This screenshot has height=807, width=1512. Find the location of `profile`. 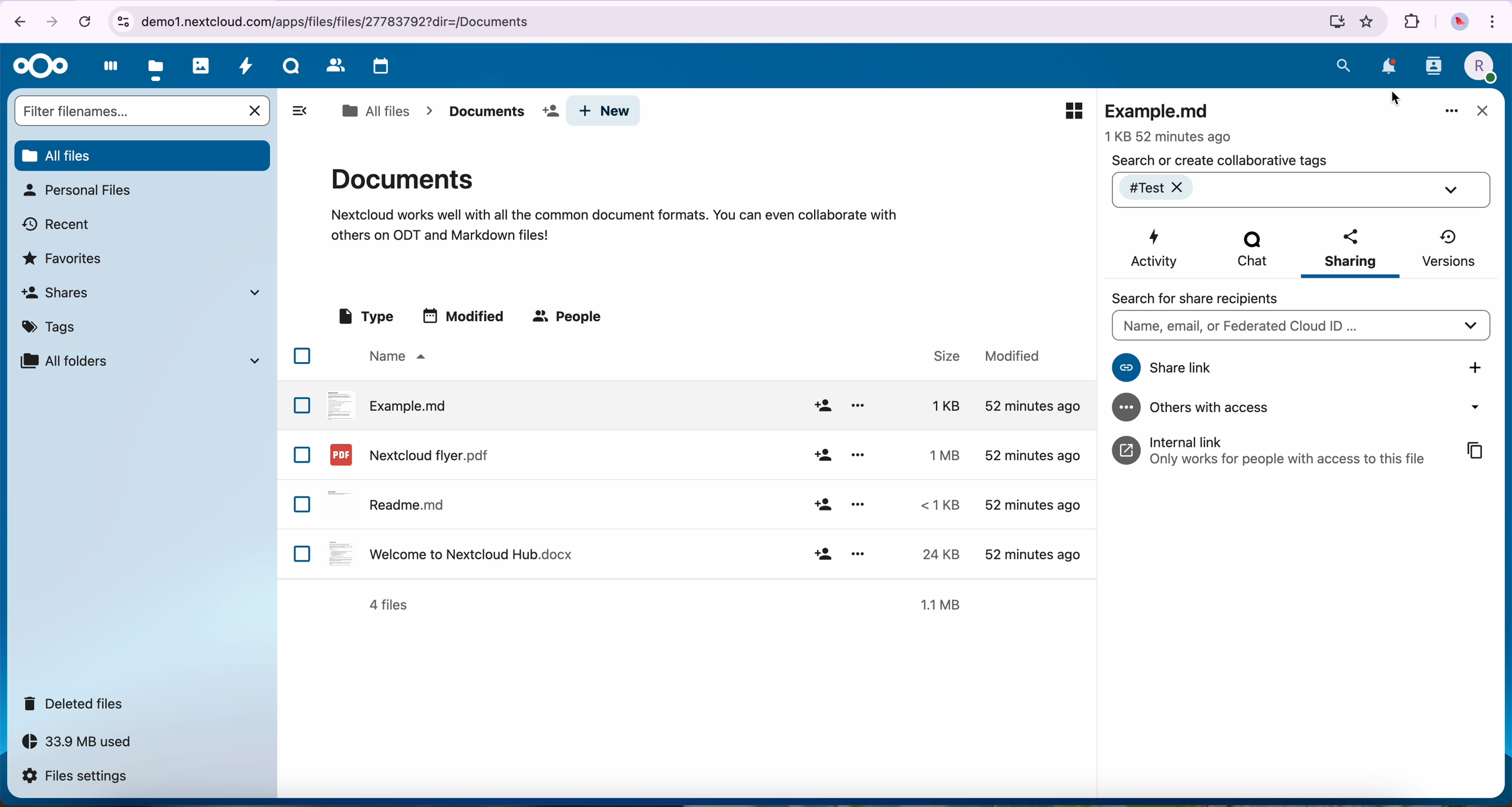

profile is located at coordinates (1478, 67).